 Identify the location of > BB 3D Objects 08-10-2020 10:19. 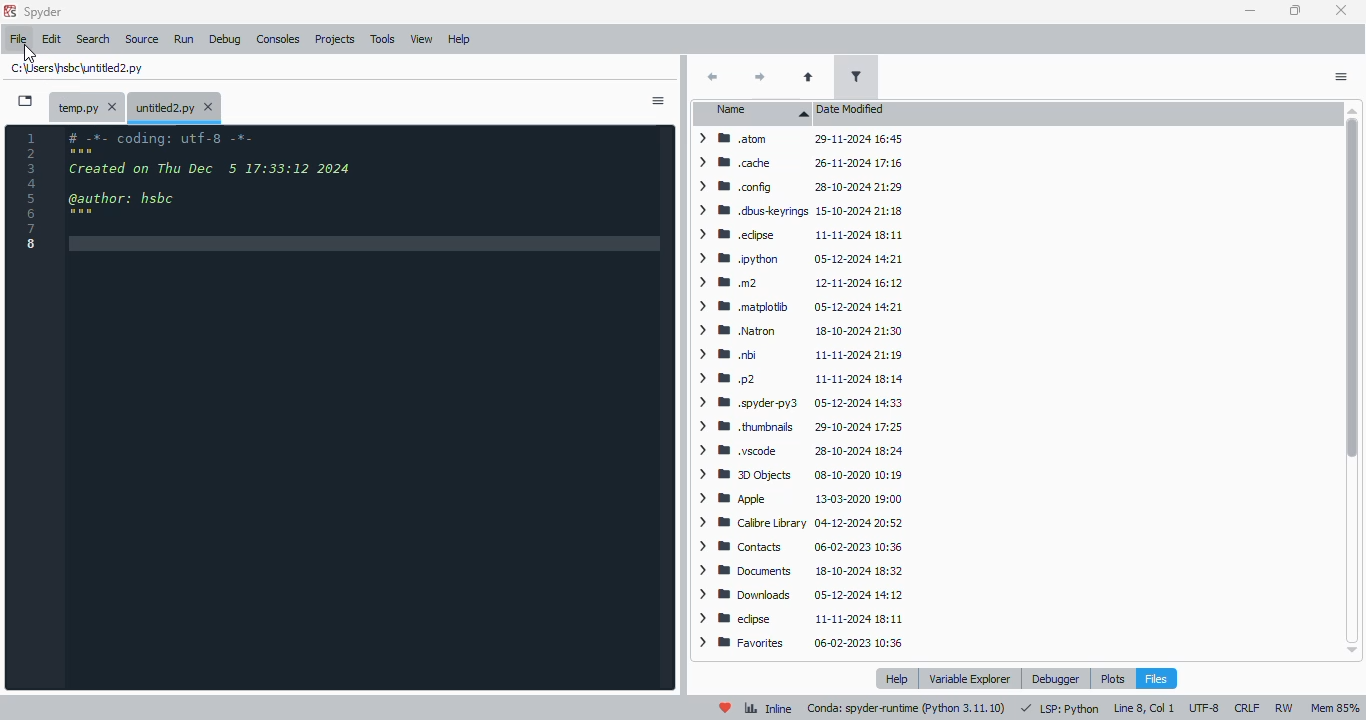
(796, 473).